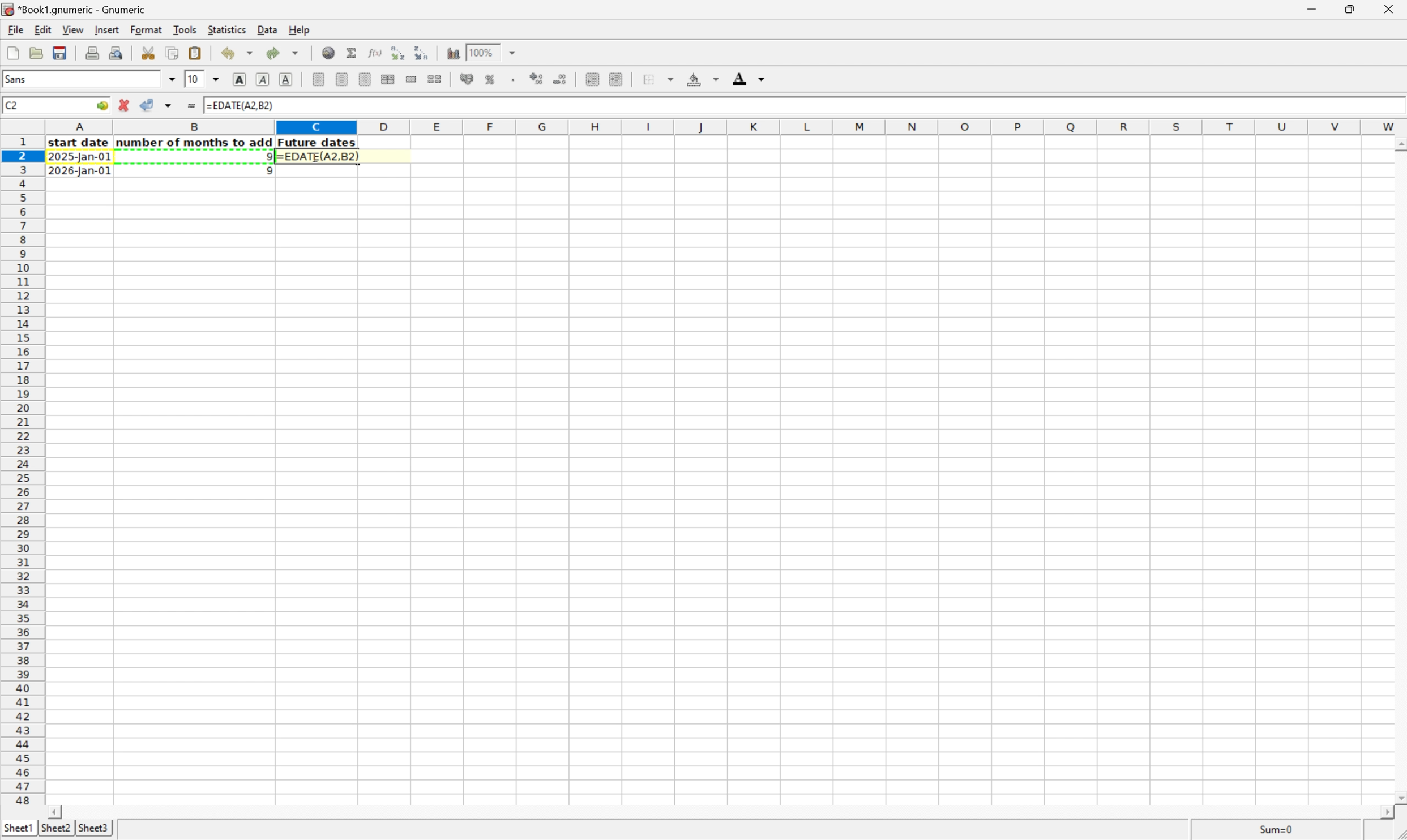 This screenshot has width=1407, height=840. I want to click on start date, so click(80, 143).